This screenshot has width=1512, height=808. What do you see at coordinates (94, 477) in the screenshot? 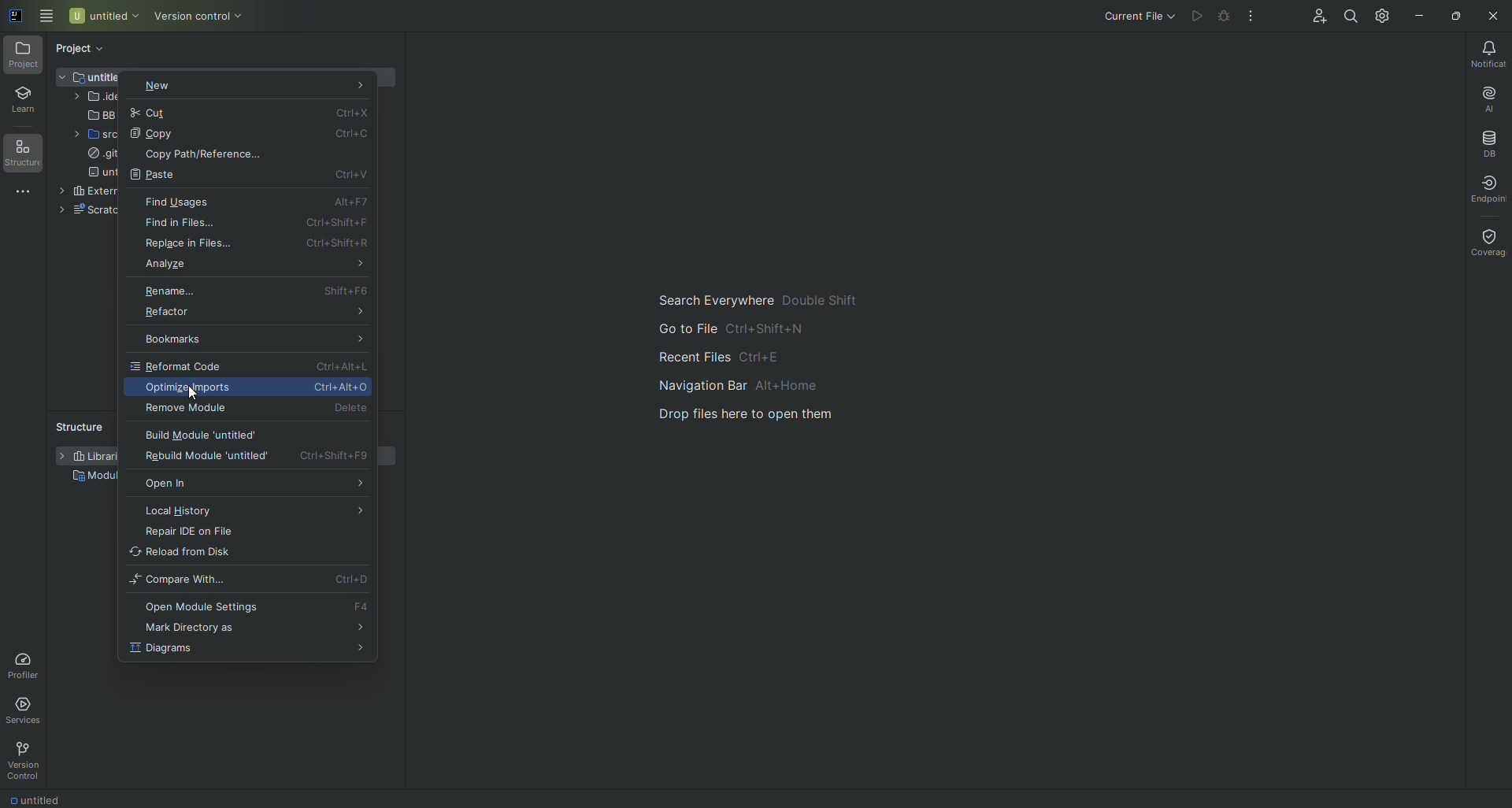
I see `Module Dependencies` at bounding box center [94, 477].